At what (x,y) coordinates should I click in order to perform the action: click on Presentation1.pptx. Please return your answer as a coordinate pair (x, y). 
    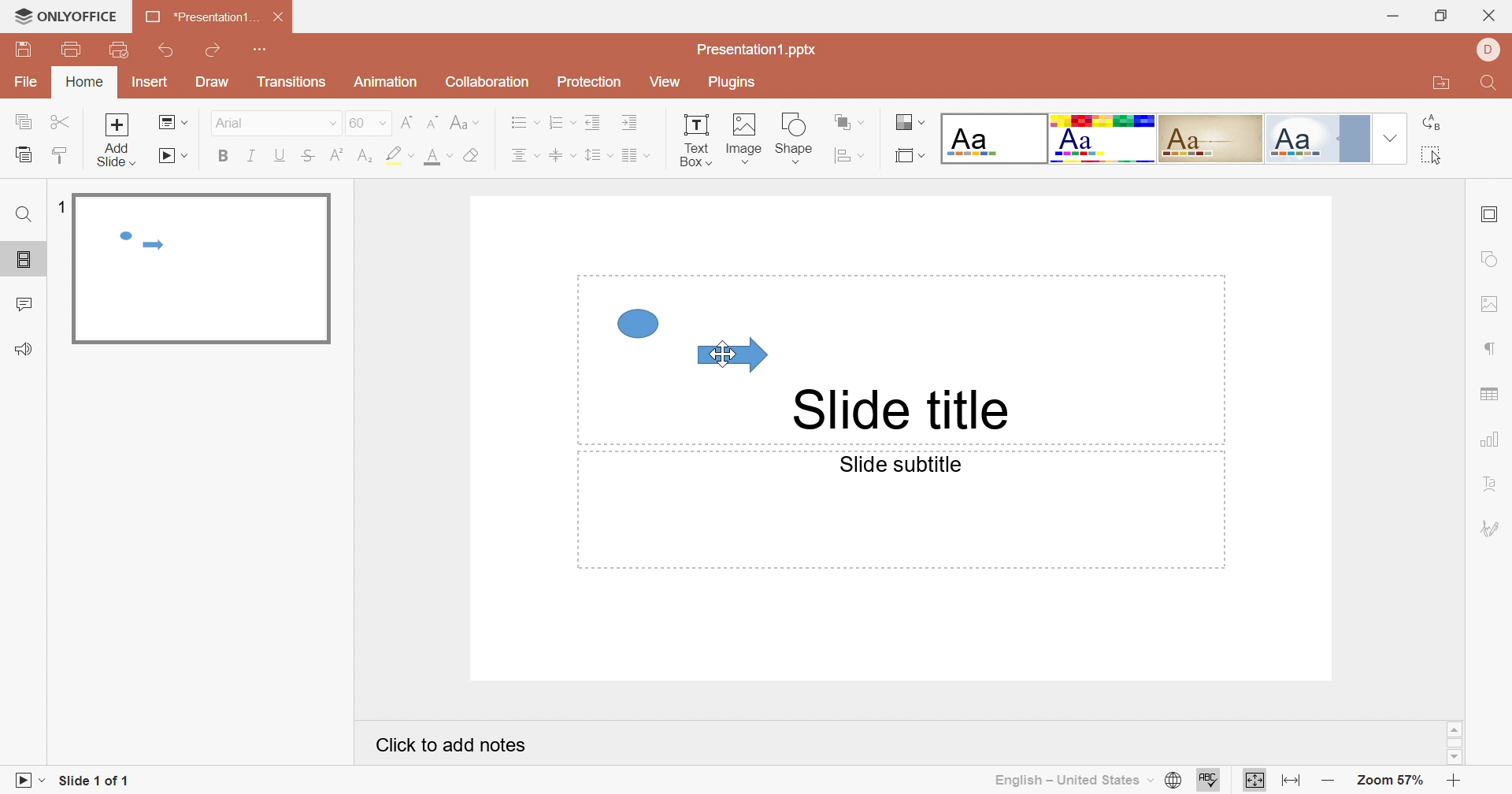
    Looking at the image, I should click on (758, 50).